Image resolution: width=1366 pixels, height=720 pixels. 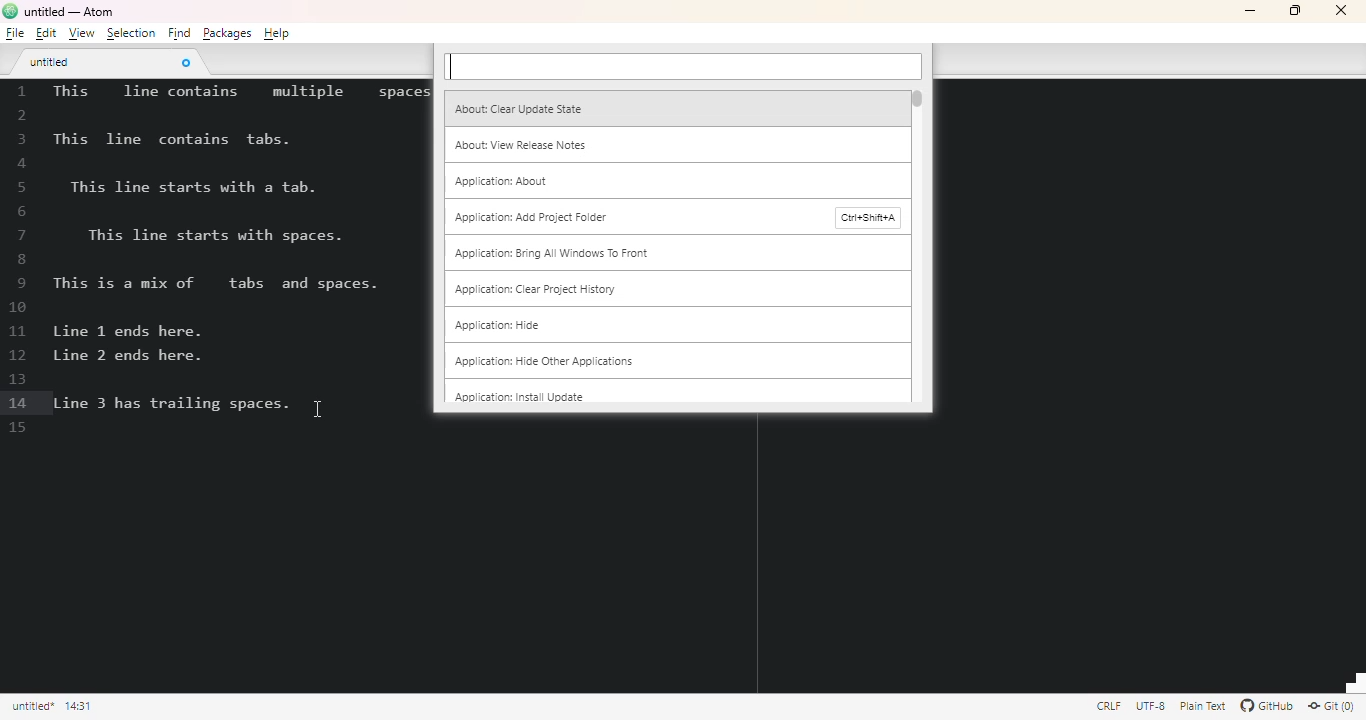 I want to click on application: hide other applications, so click(x=544, y=362).